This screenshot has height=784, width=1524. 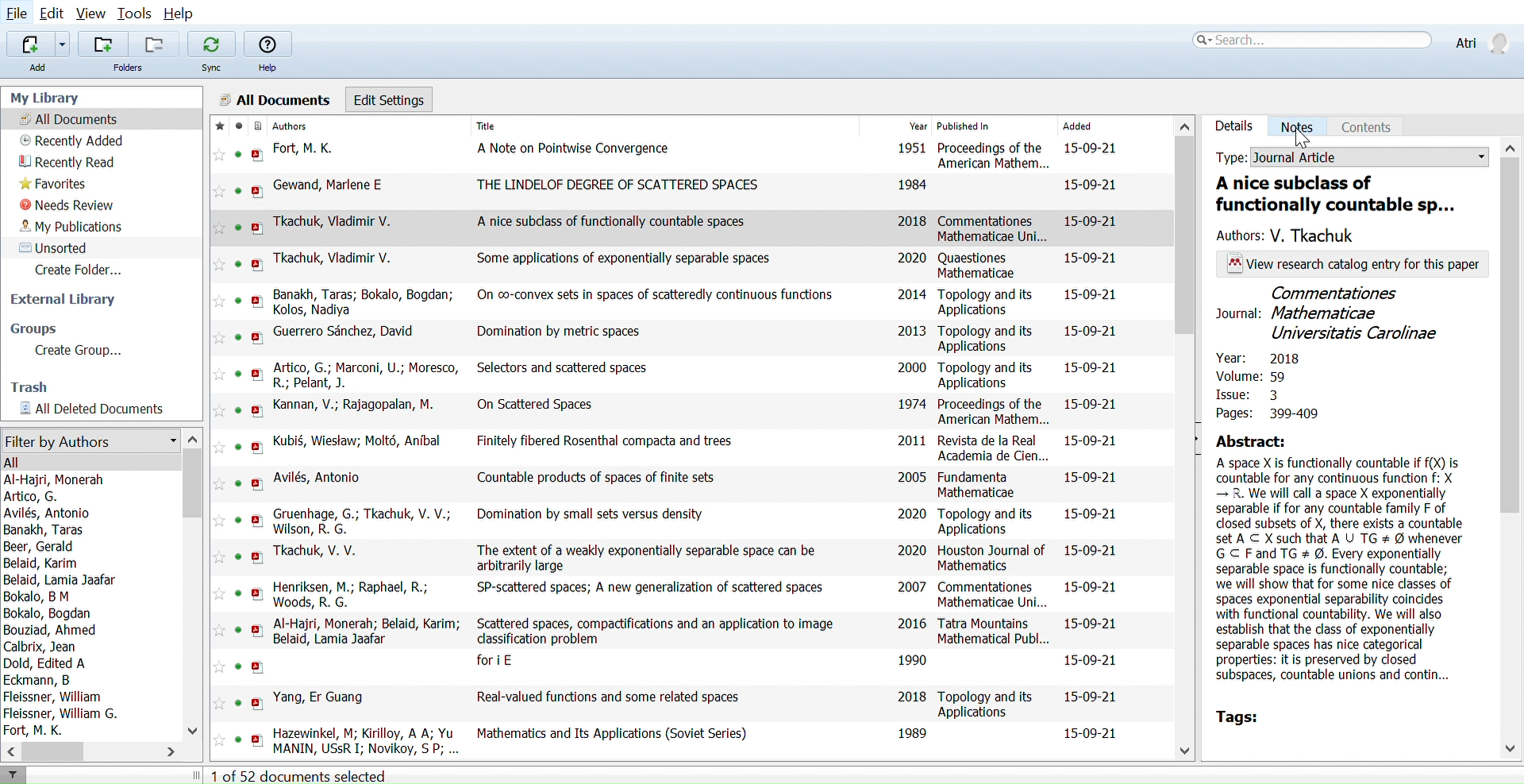 I want to click on open PDF, so click(x=258, y=338).